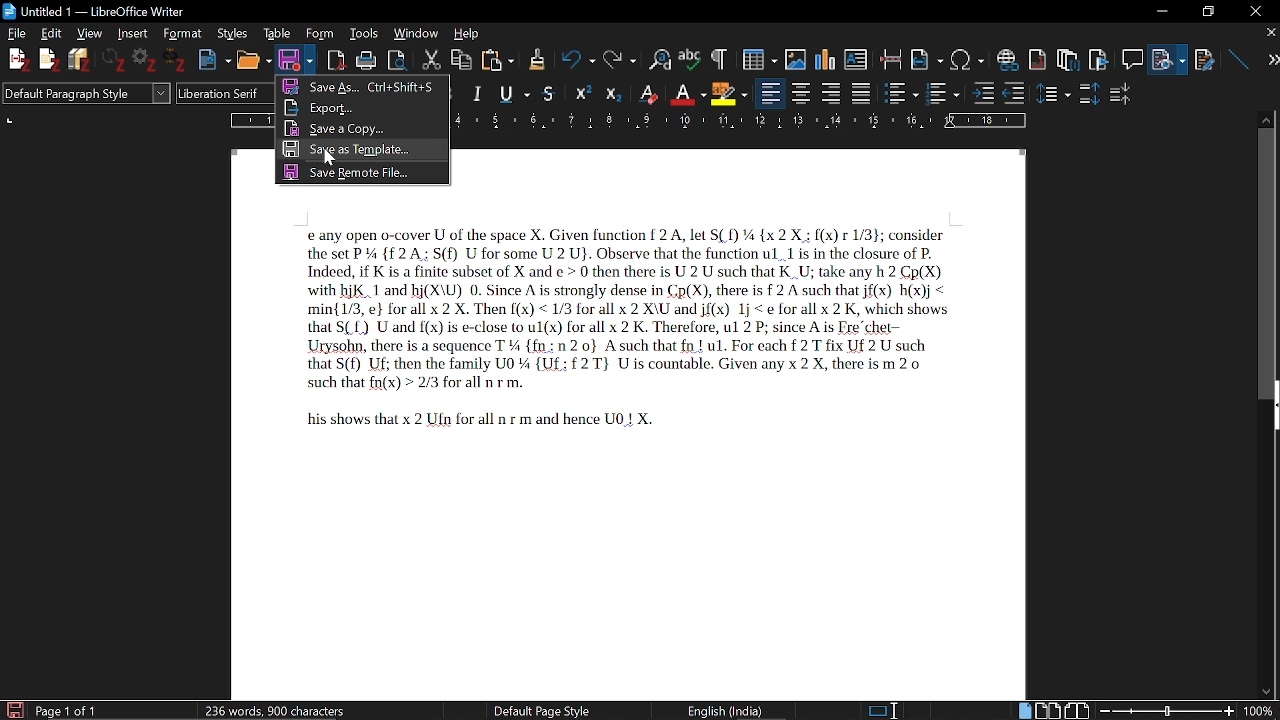  What do you see at coordinates (54, 33) in the screenshot?
I see `Edit` at bounding box center [54, 33].